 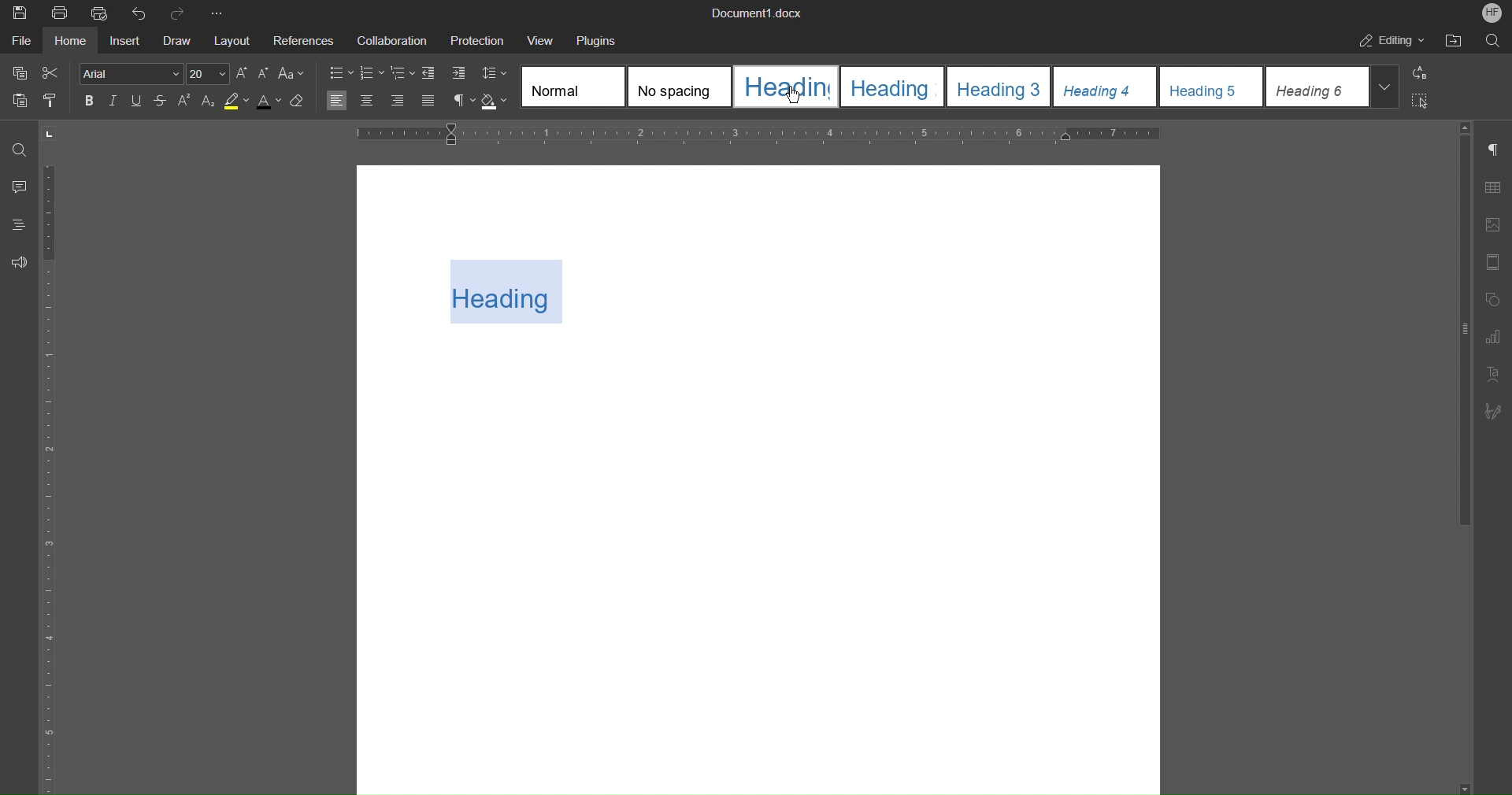 I want to click on Nested List, so click(x=401, y=73).